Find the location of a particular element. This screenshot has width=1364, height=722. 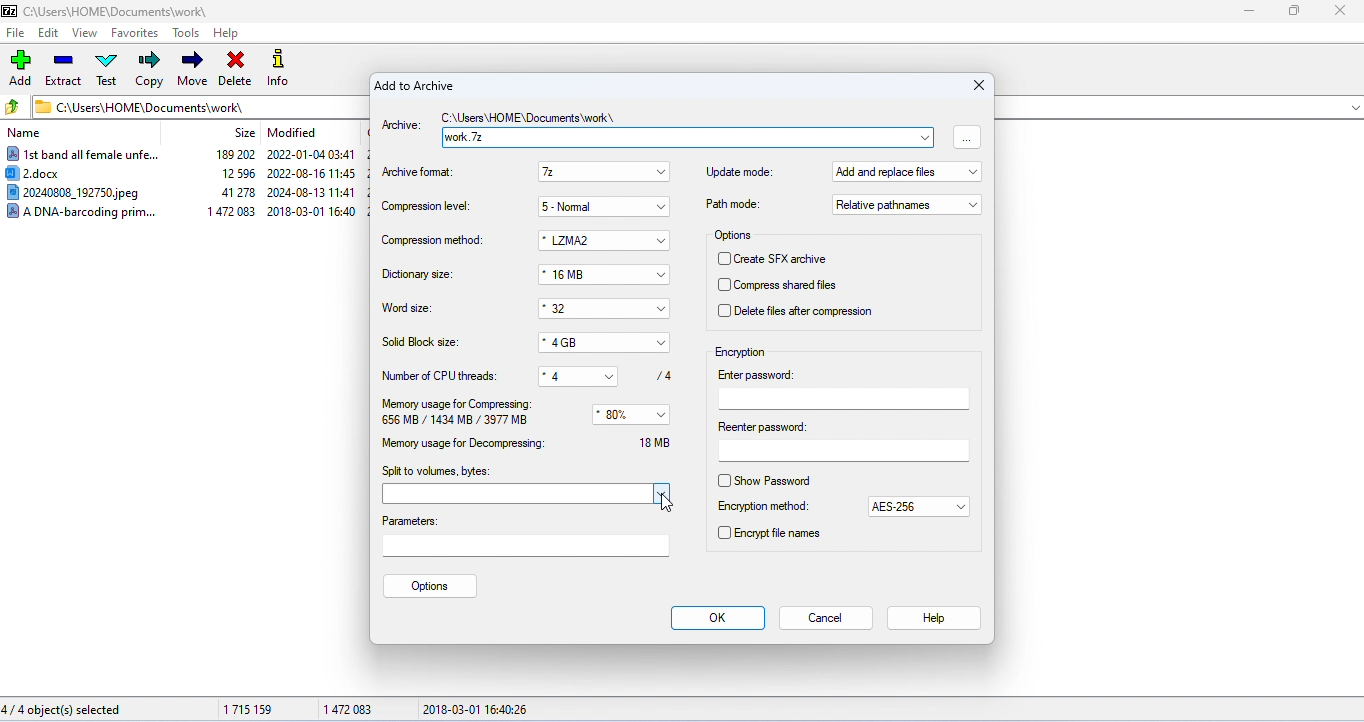

tools is located at coordinates (188, 32).